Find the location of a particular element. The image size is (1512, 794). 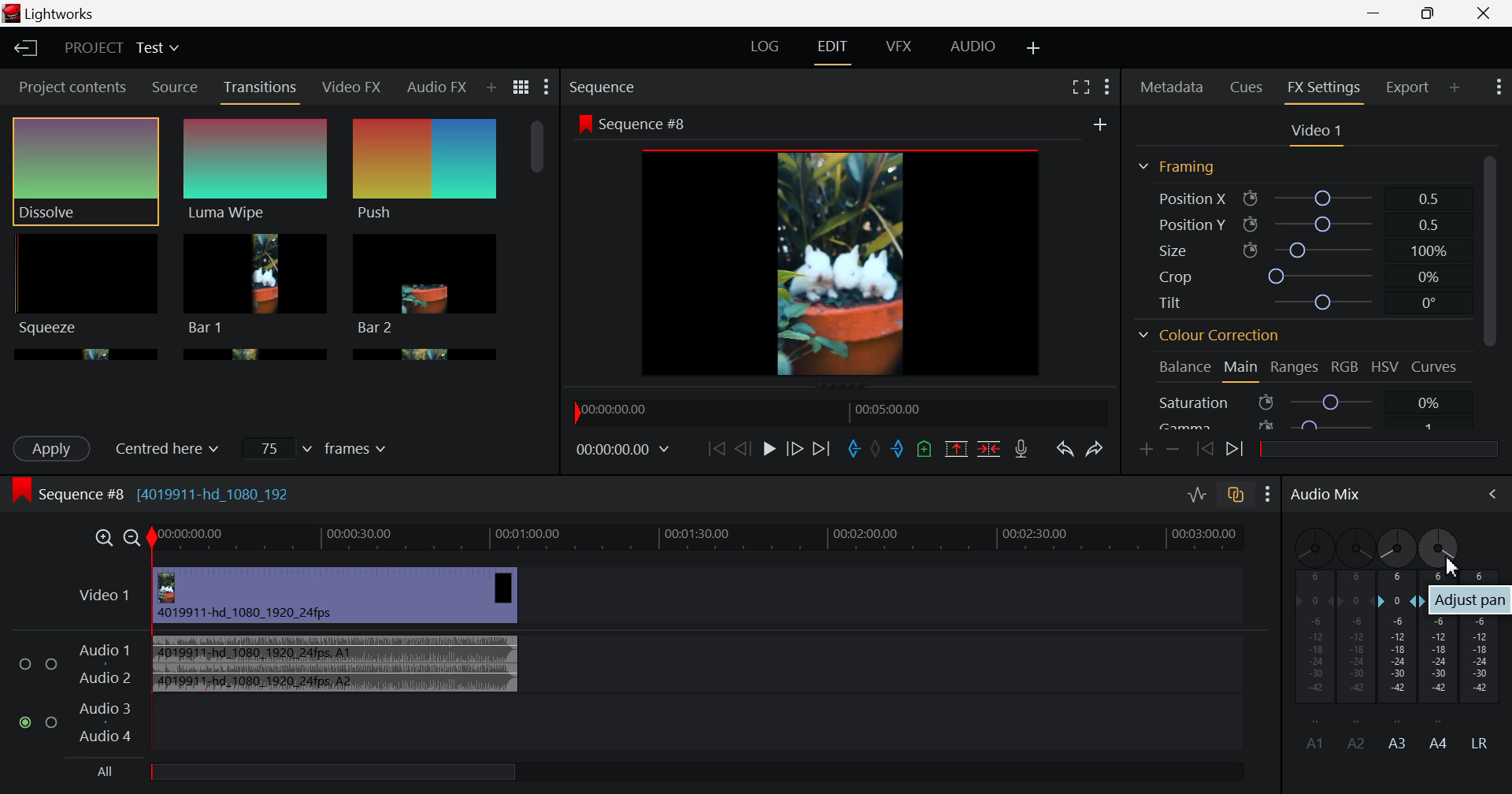

Saturation is located at coordinates (1303, 402).